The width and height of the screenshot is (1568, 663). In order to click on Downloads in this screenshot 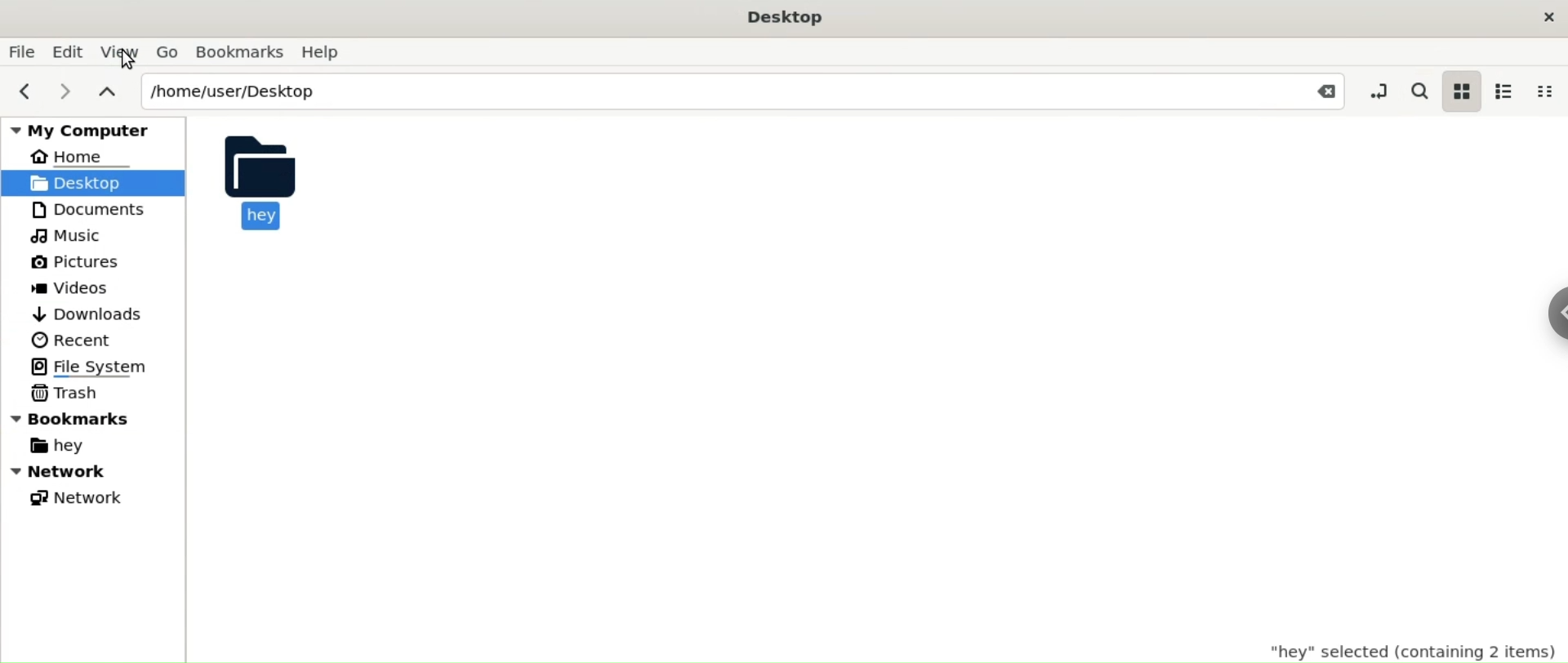, I will do `click(95, 314)`.